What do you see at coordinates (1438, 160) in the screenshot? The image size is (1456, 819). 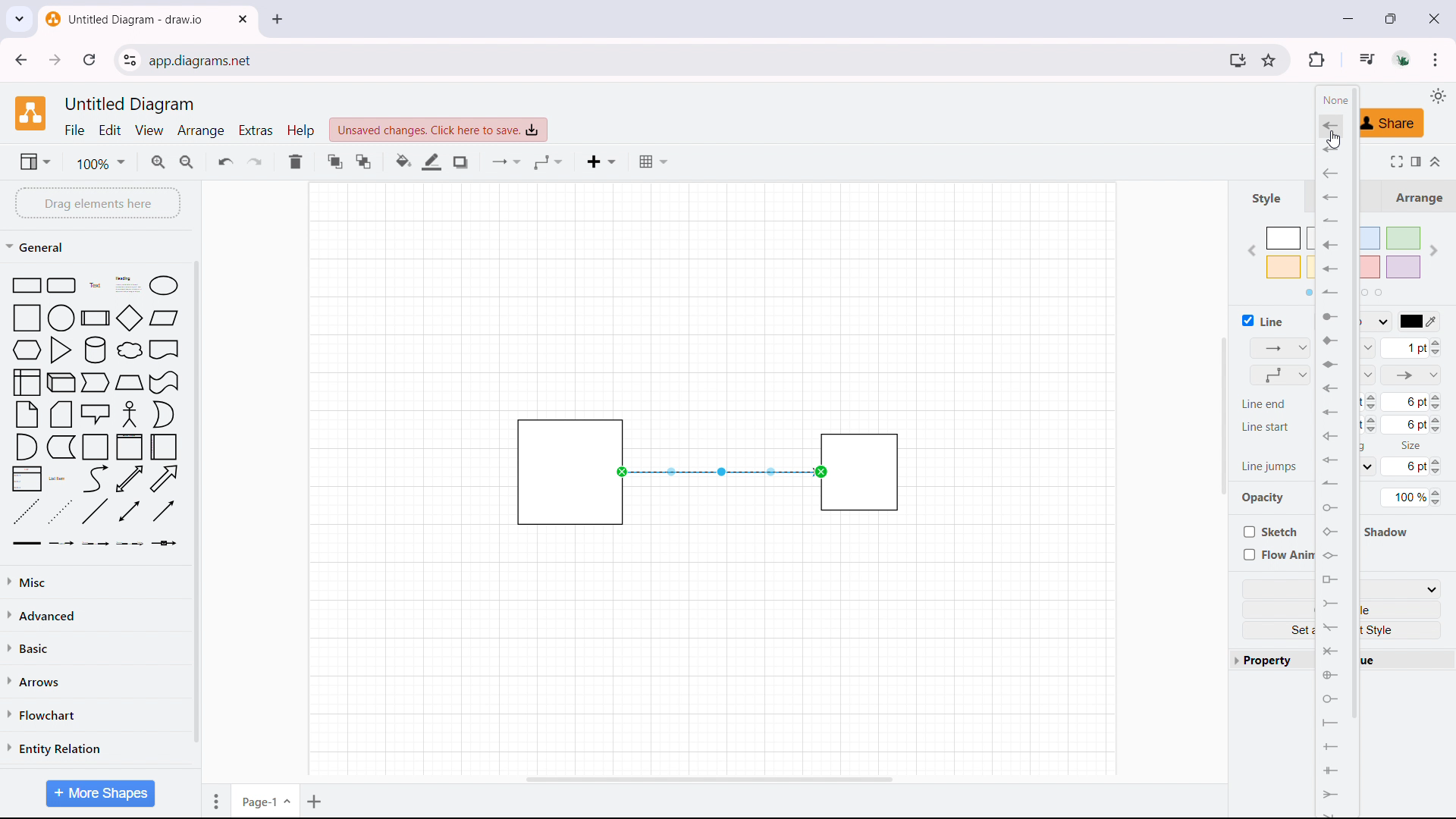 I see `collapse/expand` at bounding box center [1438, 160].